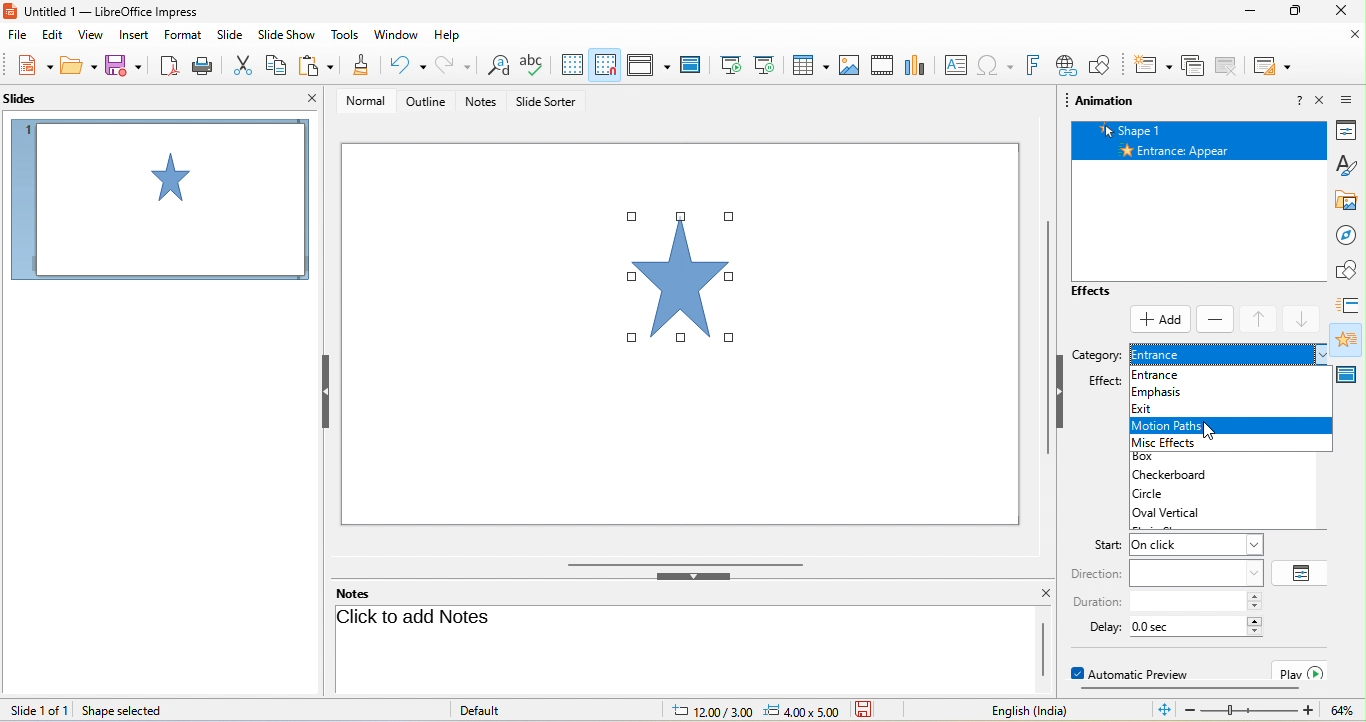 This screenshot has height=722, width=1366. I want to click on navigator, so click(1351, 236).